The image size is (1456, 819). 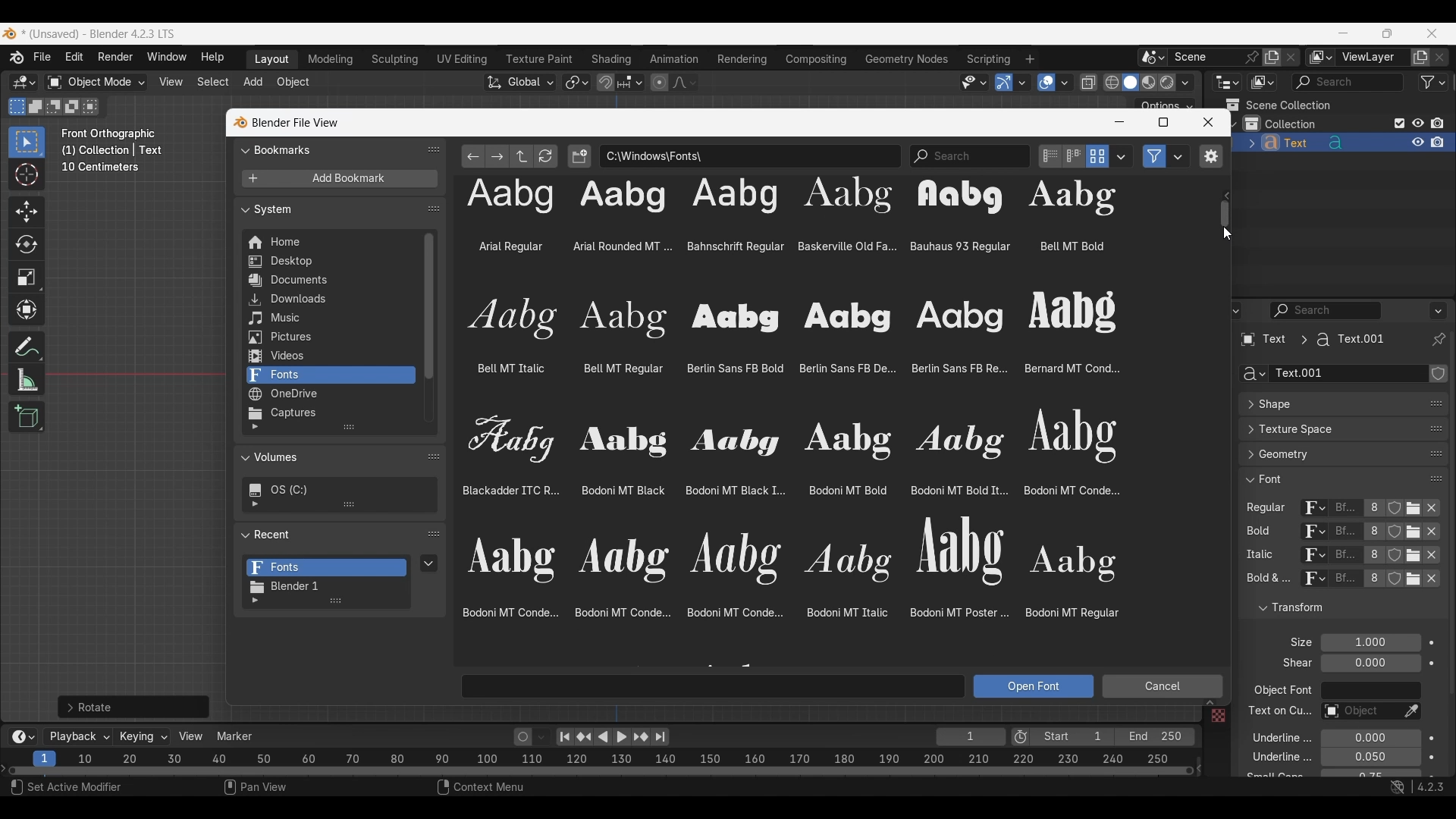 I want to click on Minimize, so click(x=1344, y=33).